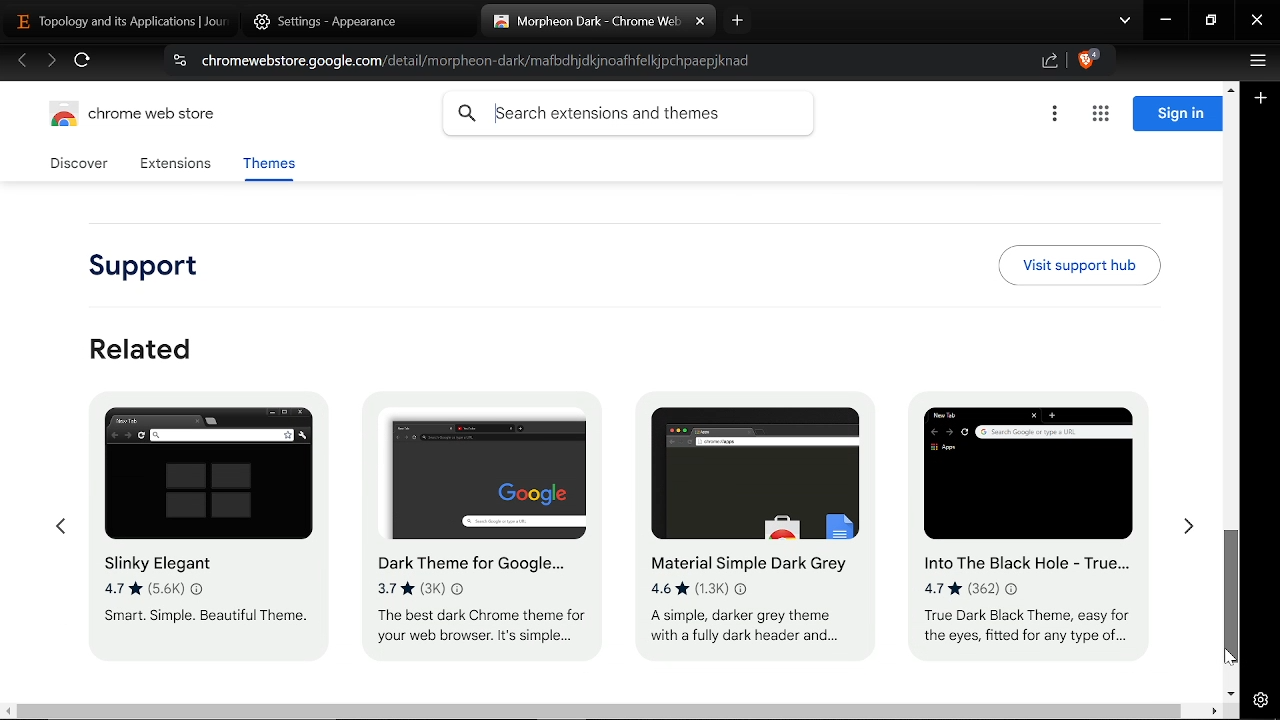 The width and height of the screenshot is (1280, 720). Describe the element at coordinates (1088, 62) in the screenshot. I see `Brave shield` at that location.